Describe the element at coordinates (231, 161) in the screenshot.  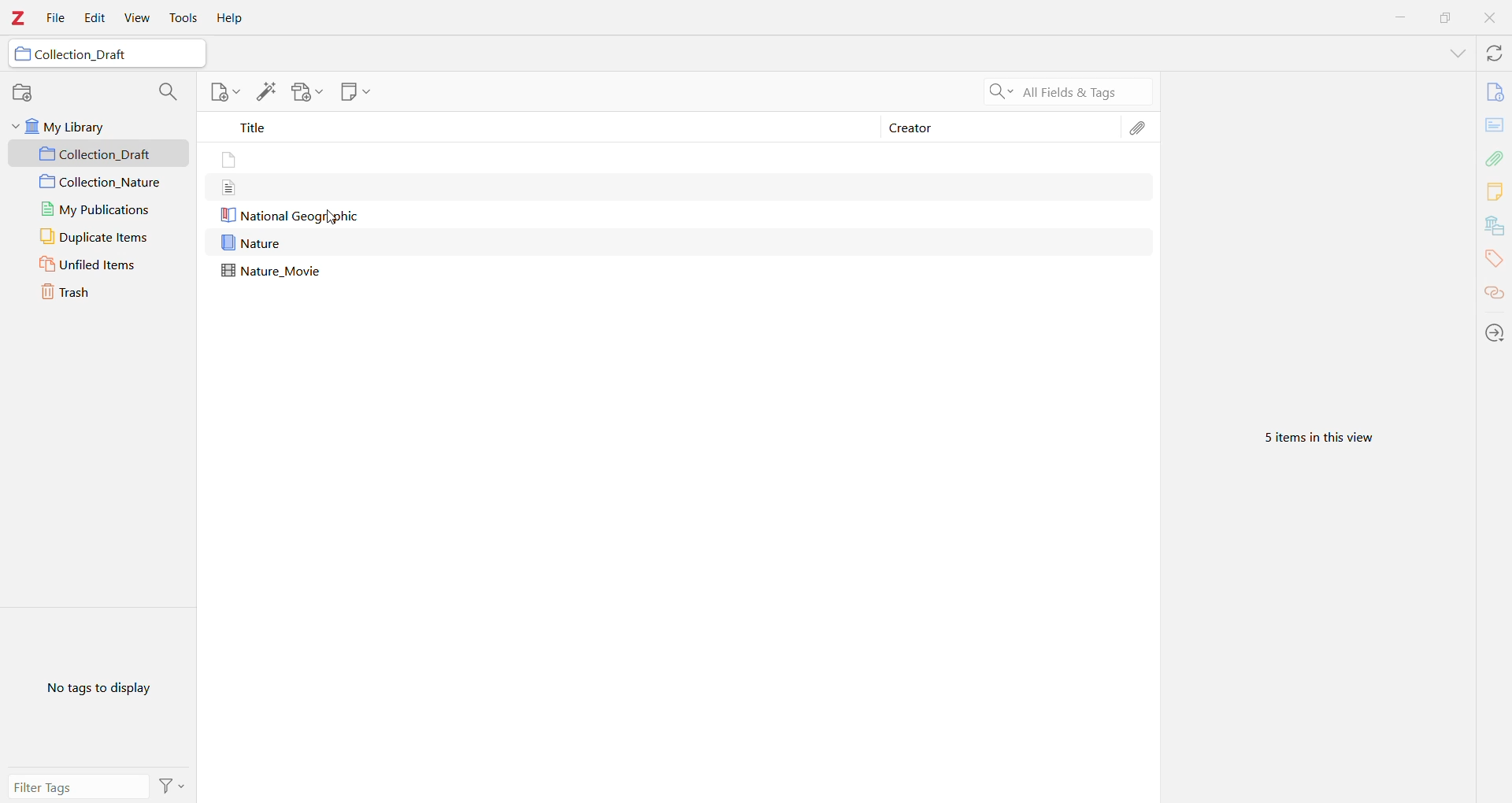
I see `file` at that location.